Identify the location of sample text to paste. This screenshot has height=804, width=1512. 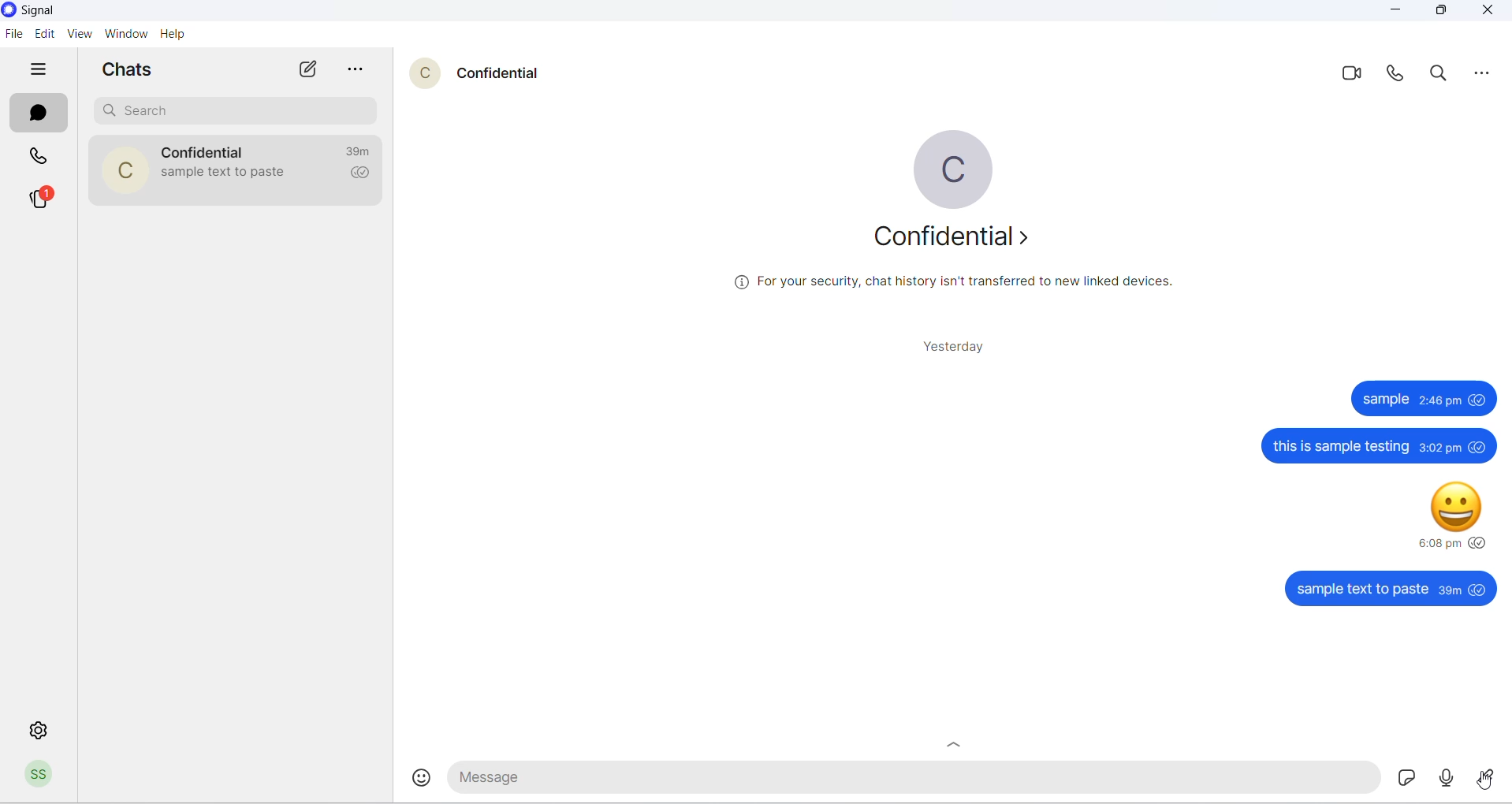
(1361, 590).